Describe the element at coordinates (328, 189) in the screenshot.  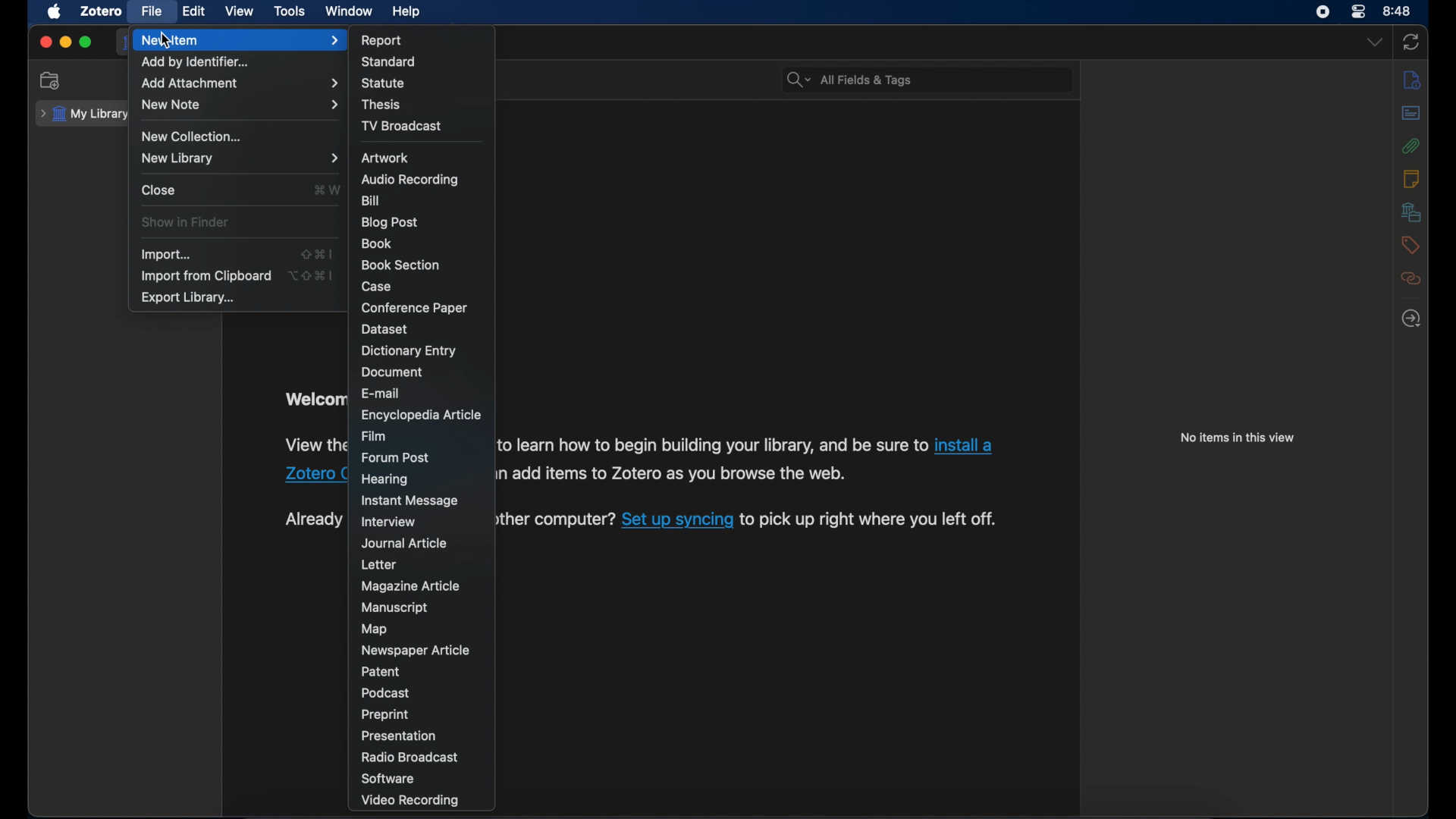
I see `close` at that location.